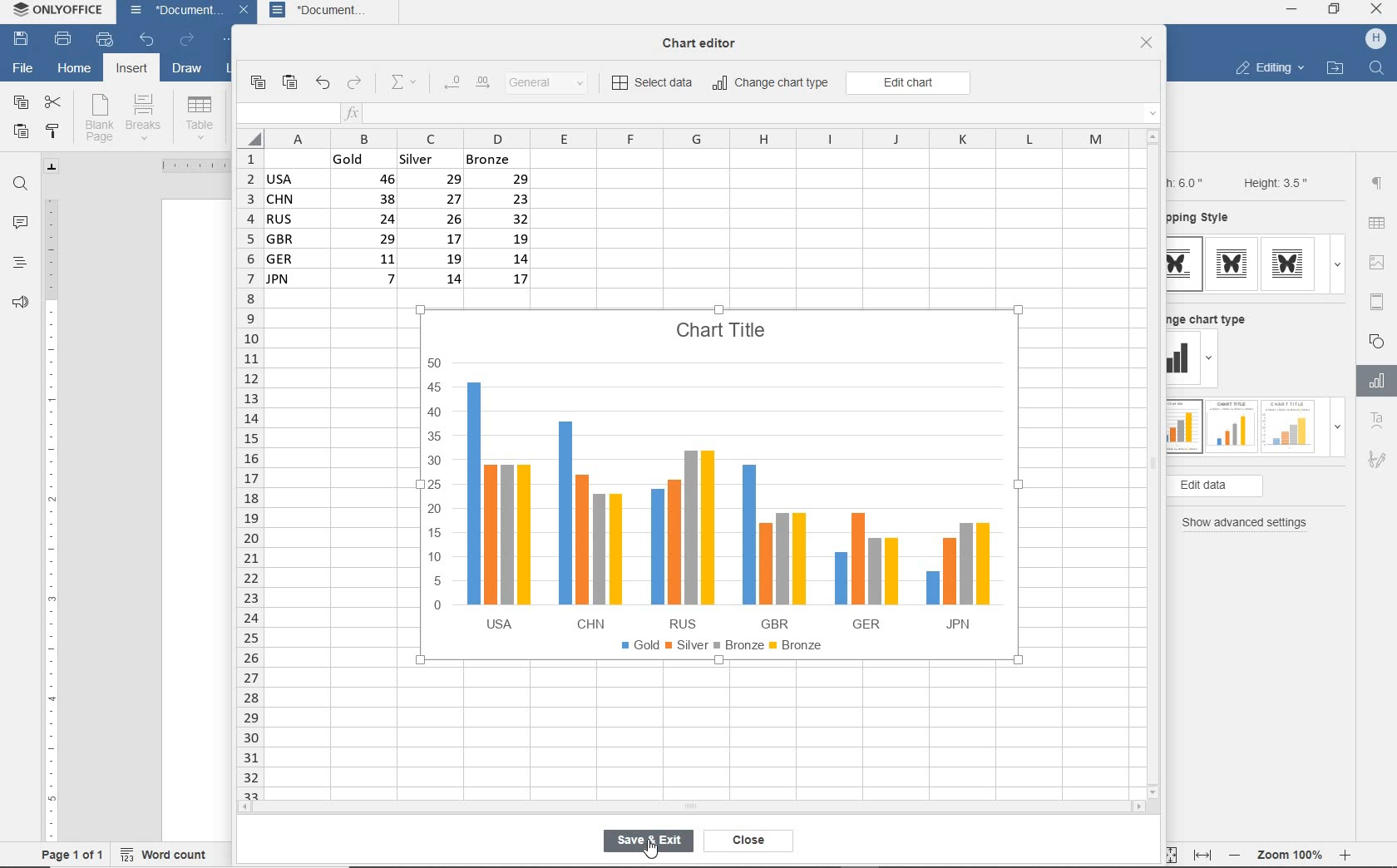 This screenshot has height=868, width=1397. I want to click on Text Art Settings, so click(1375, 422).